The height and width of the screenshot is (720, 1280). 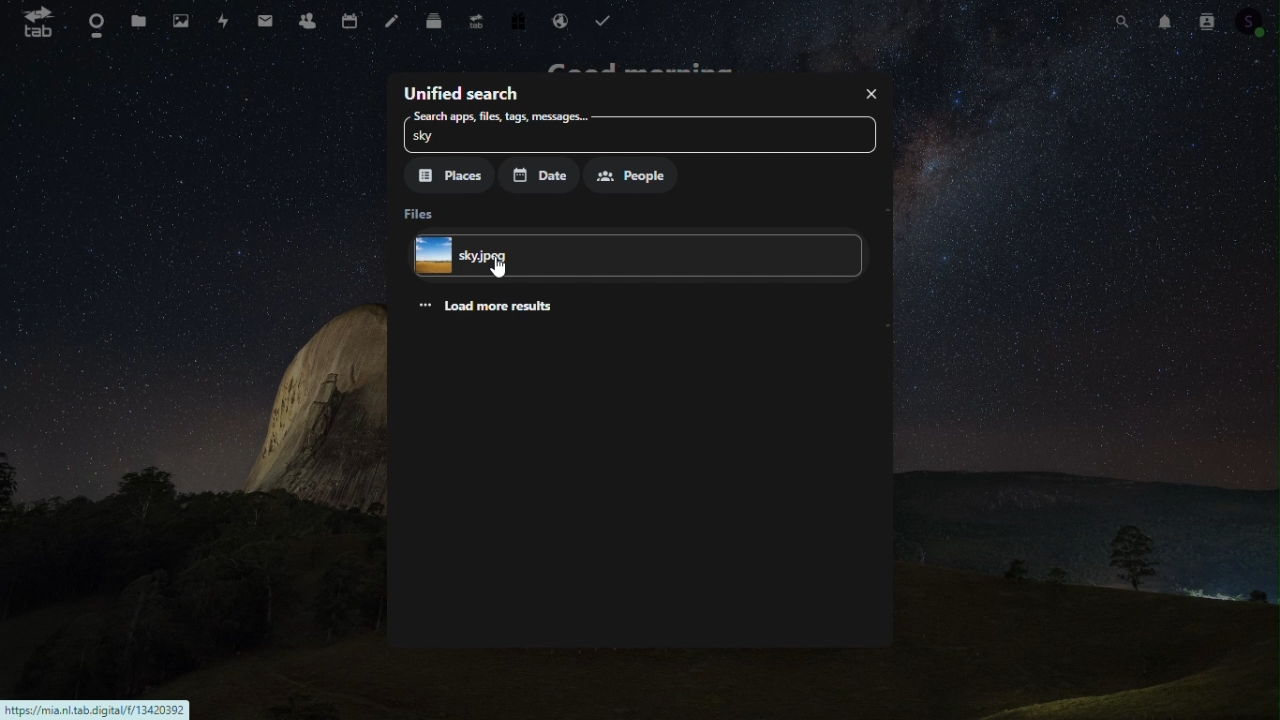 I want to click on tab, so click(x=34, y=22).